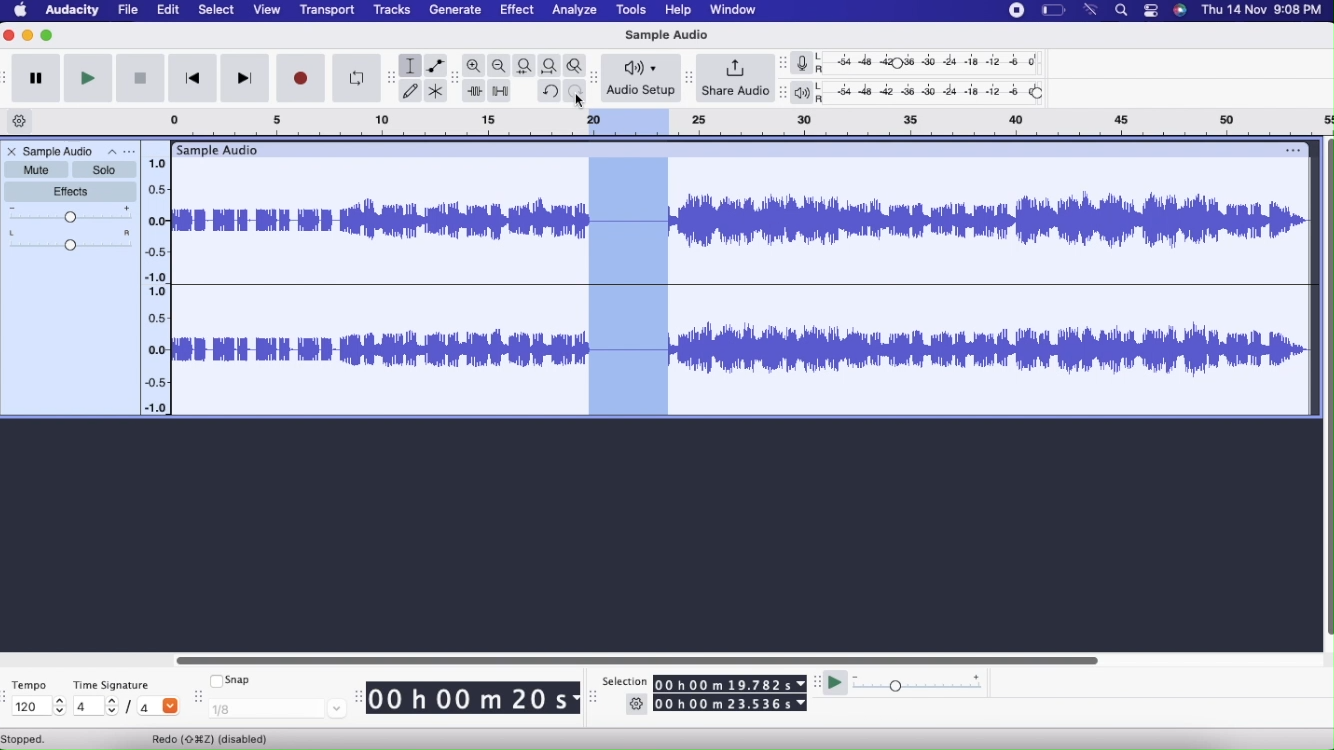 Image resolution: width=1334 pixels, height=750 pixels. What do you see at coordinates (195, 78) in the screenshot?
I see `Skip to start` at bounding box center [195, 78].